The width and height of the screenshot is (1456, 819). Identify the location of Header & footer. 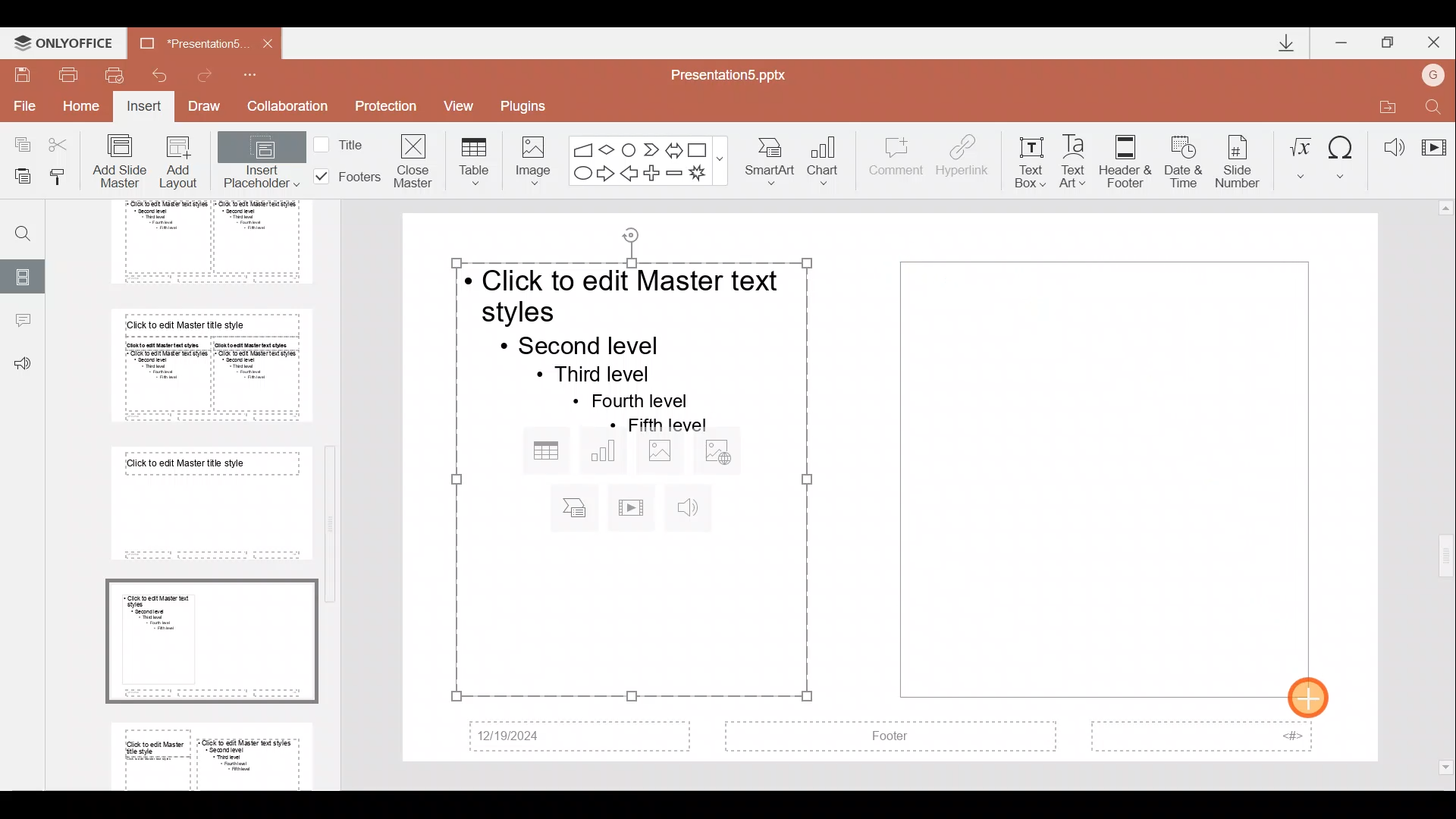
(1125, 161).